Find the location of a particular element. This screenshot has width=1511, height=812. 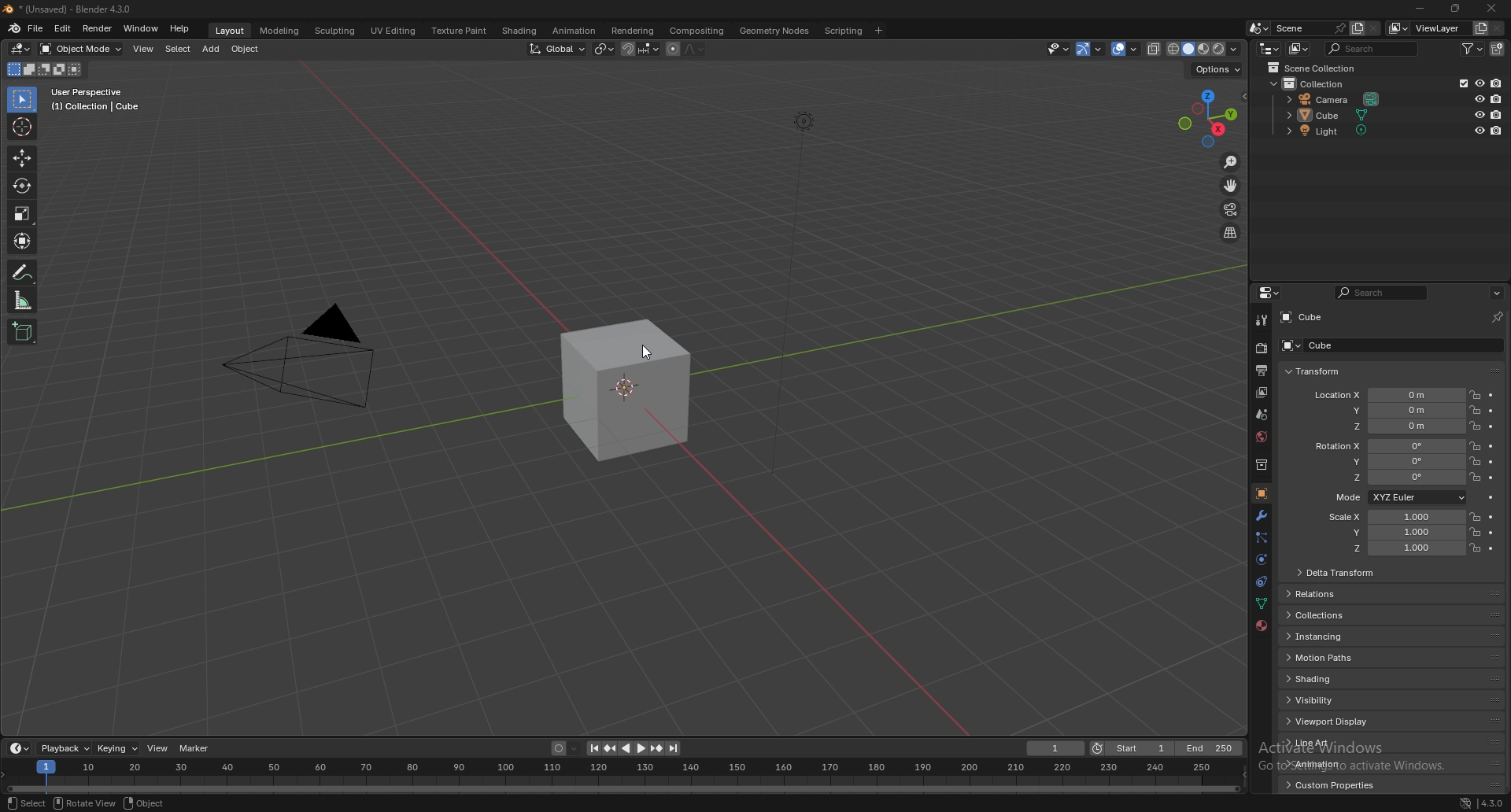

hide in viewport is located at coordinates (1480, 83).